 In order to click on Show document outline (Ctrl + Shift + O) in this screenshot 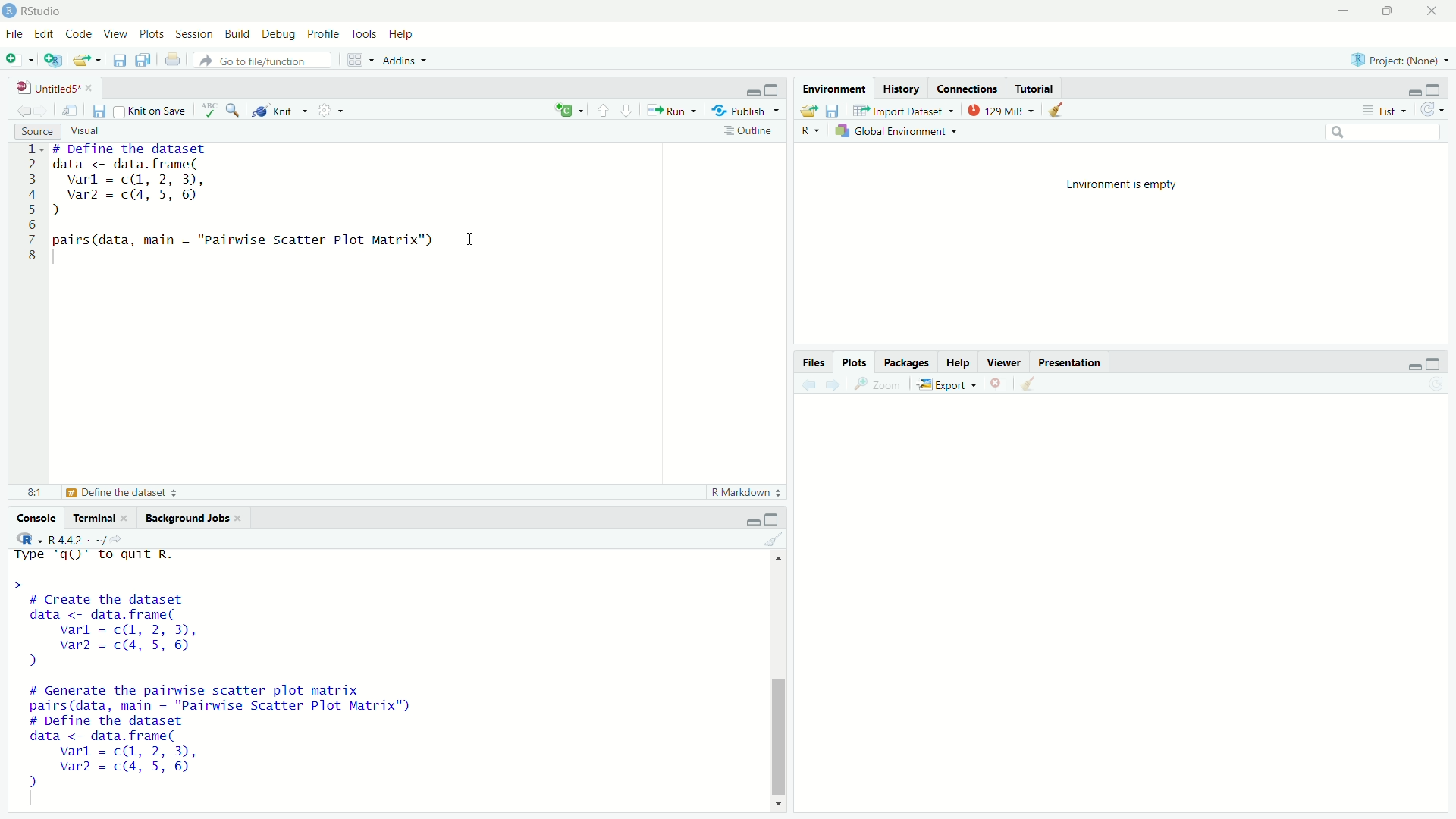, I will do `click(750, 130)`.